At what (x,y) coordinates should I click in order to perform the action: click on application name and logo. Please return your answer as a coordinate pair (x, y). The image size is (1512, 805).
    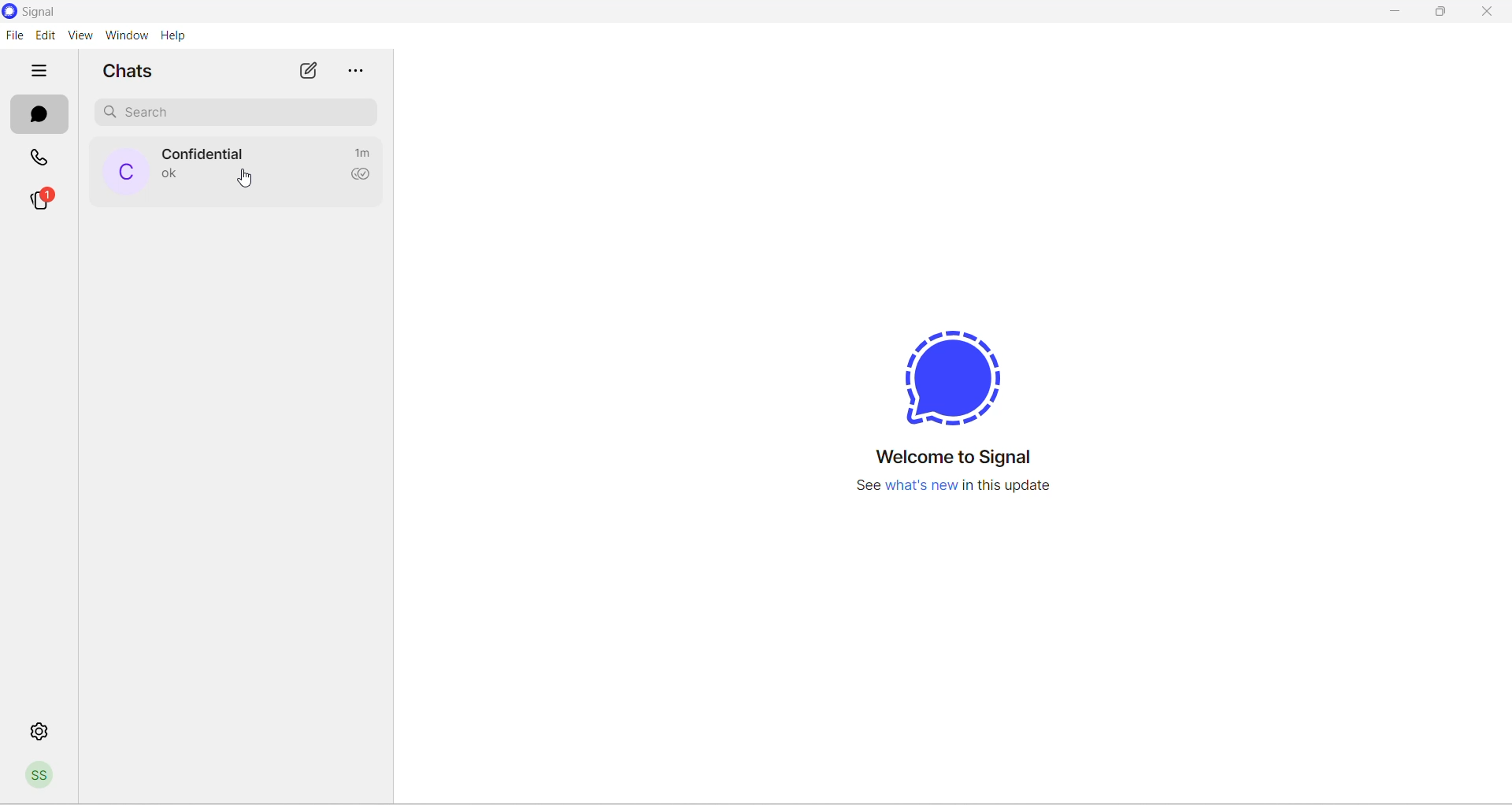
    Looking at the image, I should click on (97, 12).